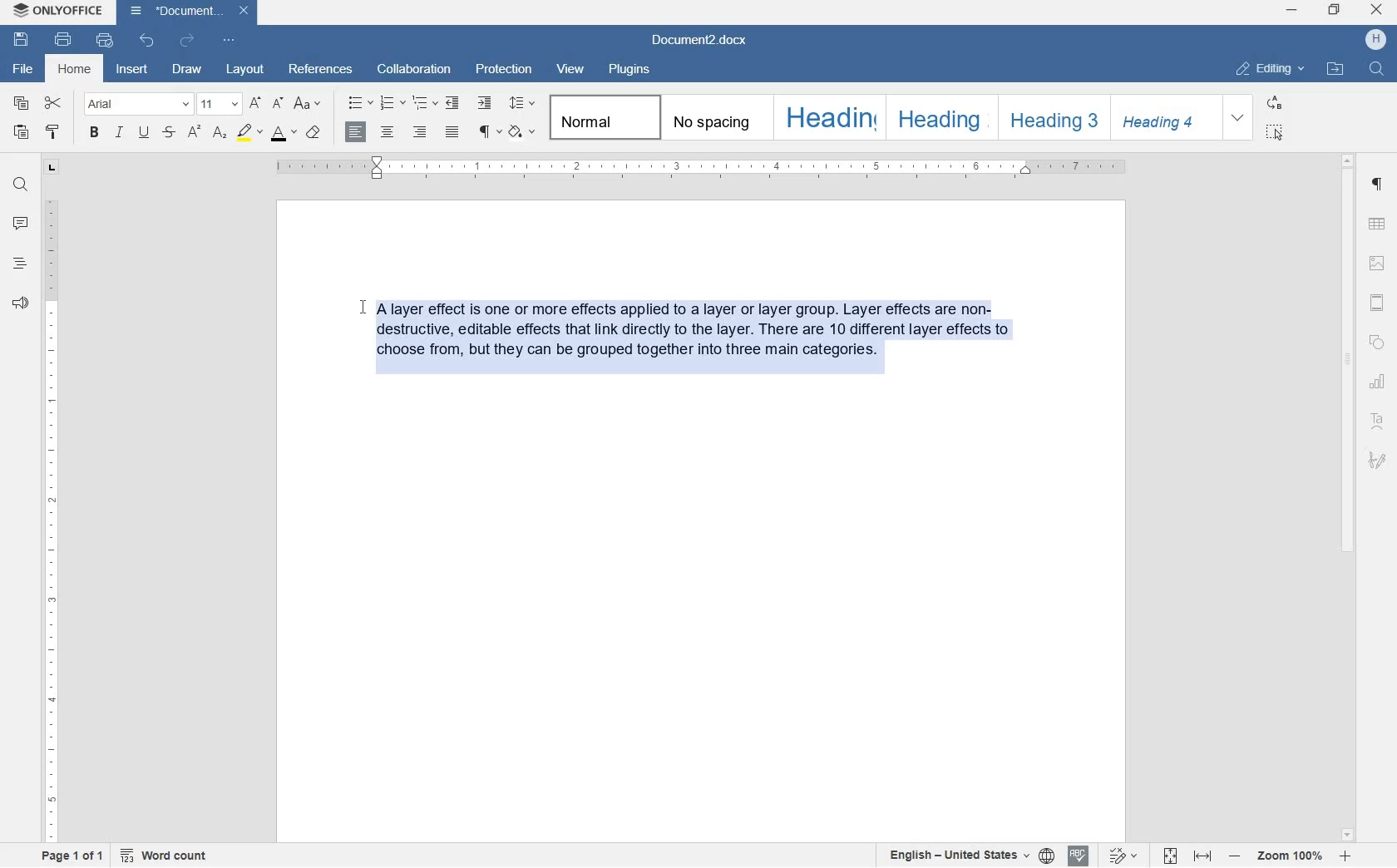 The height and width of the screenshot is (868, 1397). What do you see at coordinates (23, 69) in the screenshot?
I see `file` at bounding box center [23, 69].